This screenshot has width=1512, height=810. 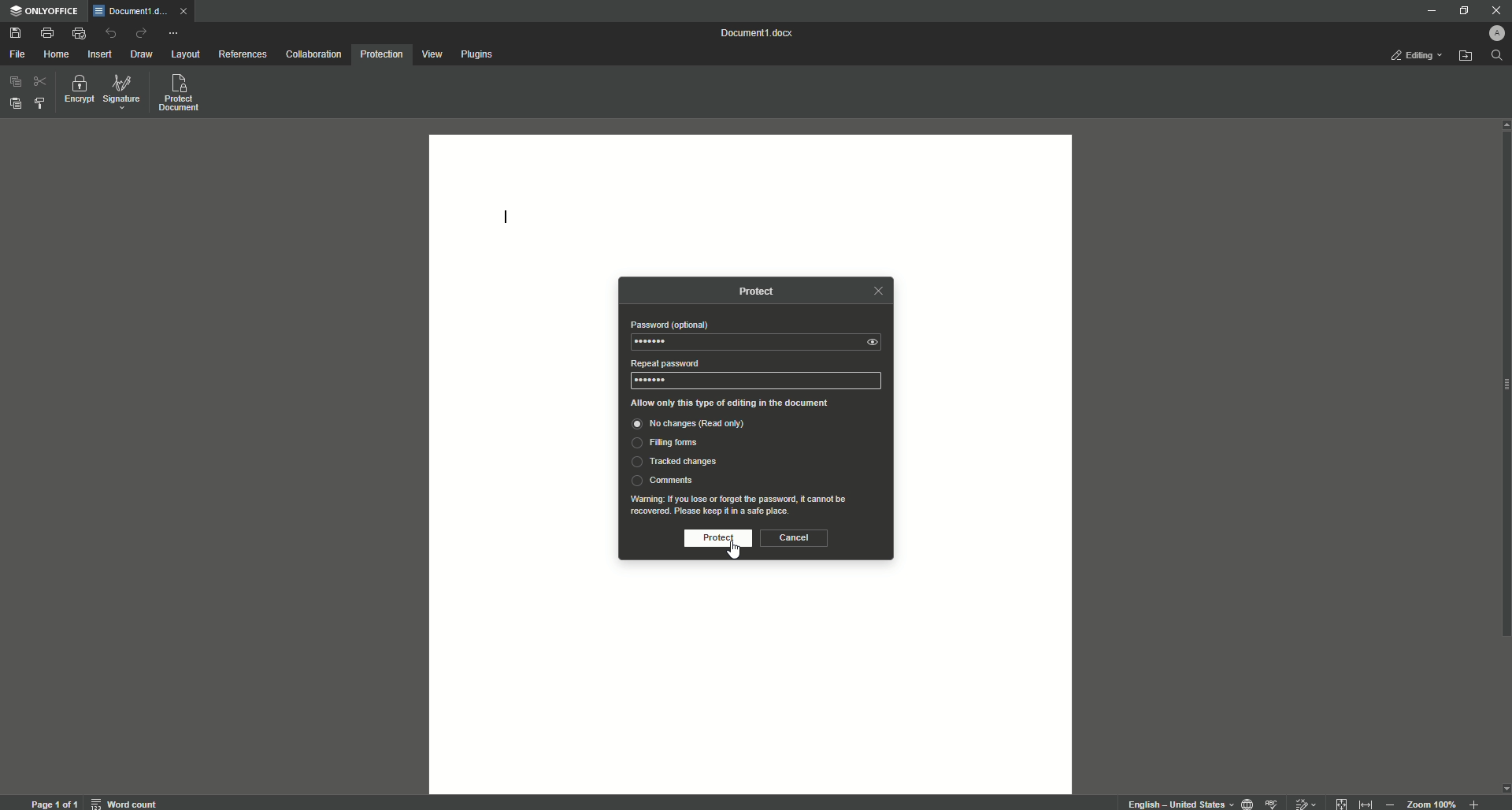 I want to click on Undo, so click(x=111, y=34).